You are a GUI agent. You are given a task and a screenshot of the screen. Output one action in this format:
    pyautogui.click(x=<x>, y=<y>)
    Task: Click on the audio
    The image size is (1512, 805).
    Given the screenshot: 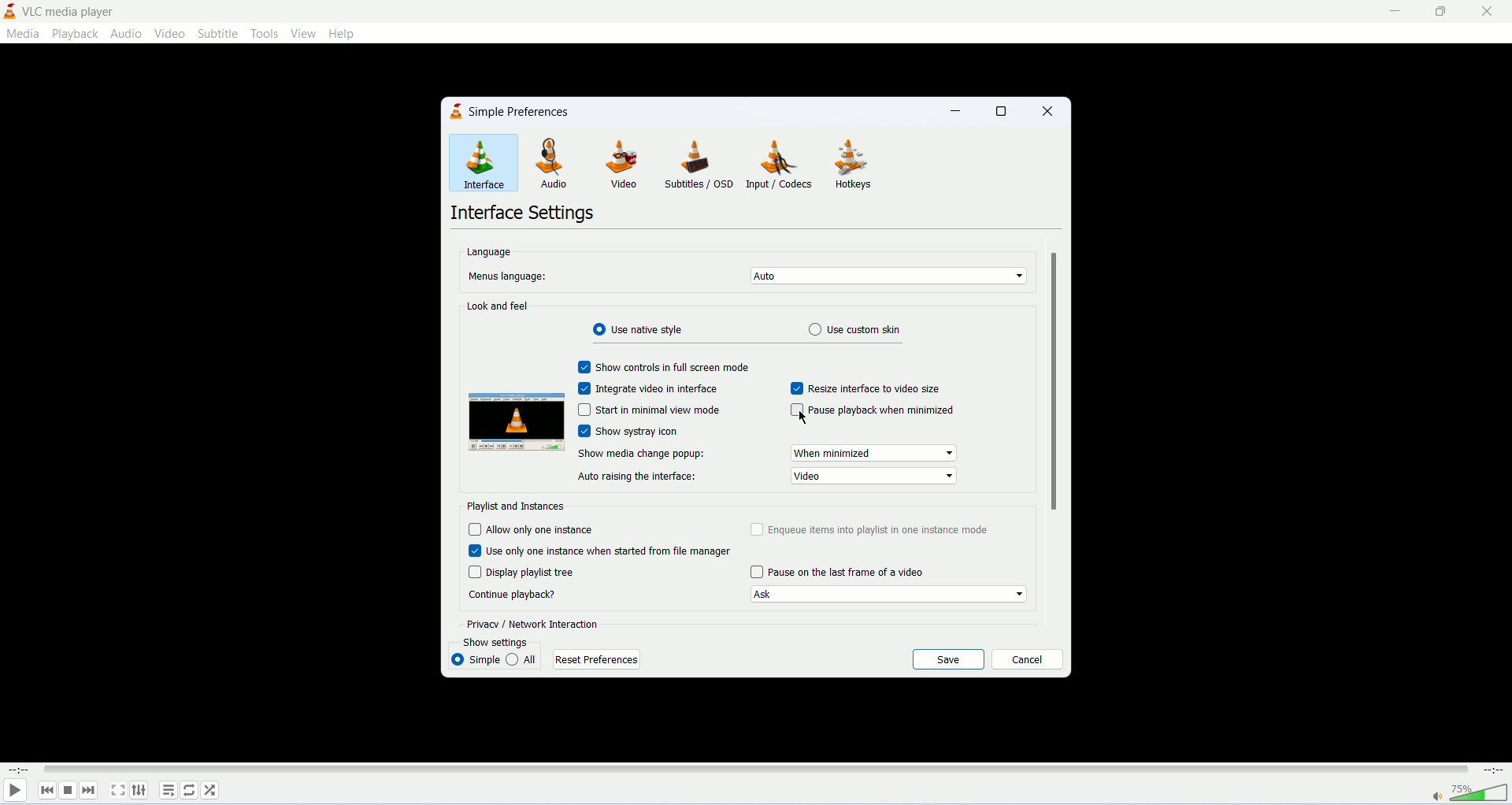 What is the action you would take?
    pyautogui.click(x=543, y=162)
    